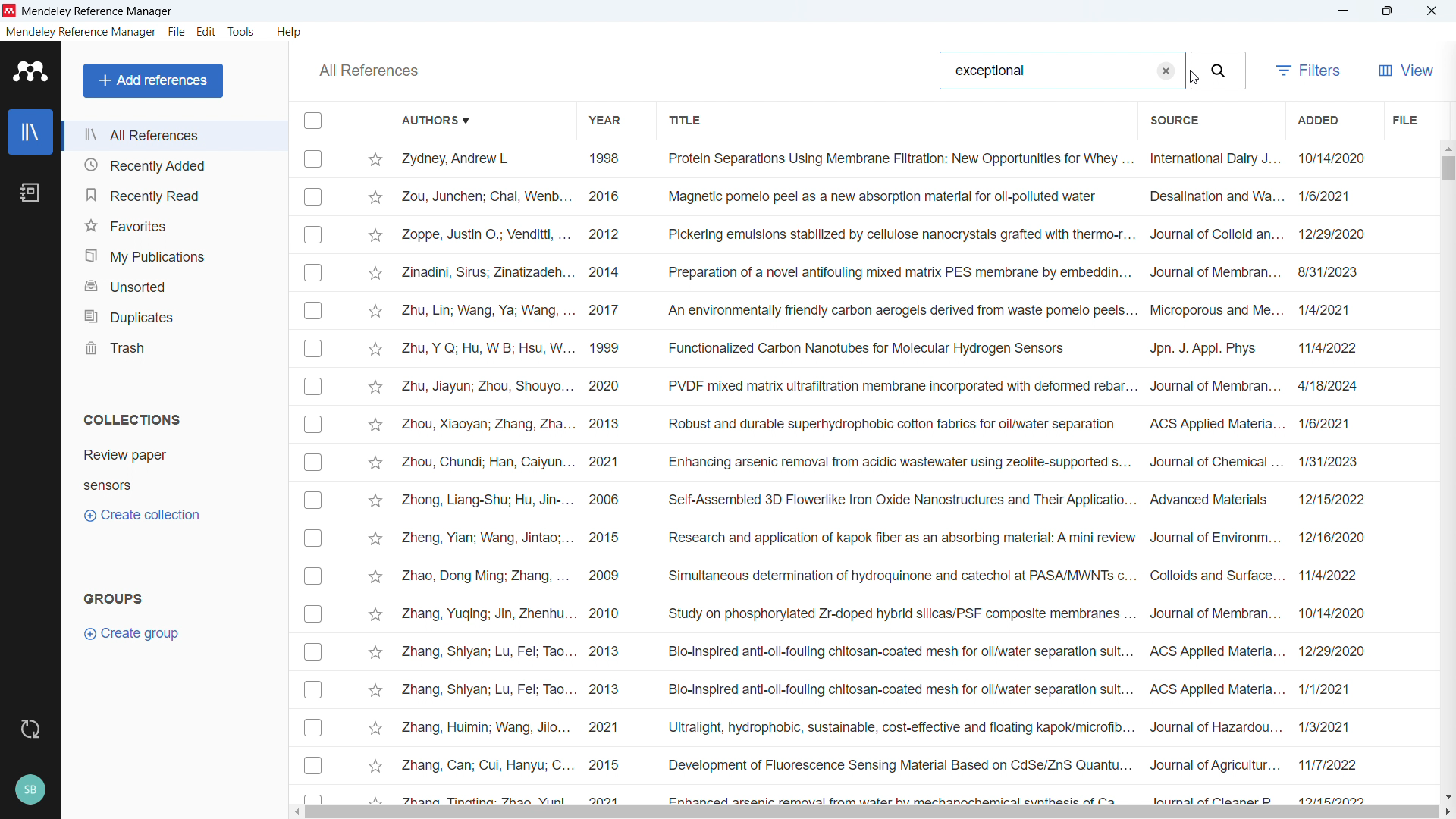 Image resolution: width=1456 pixels, height=819 pixels. I want to click on Recently read , so click(174, 193).